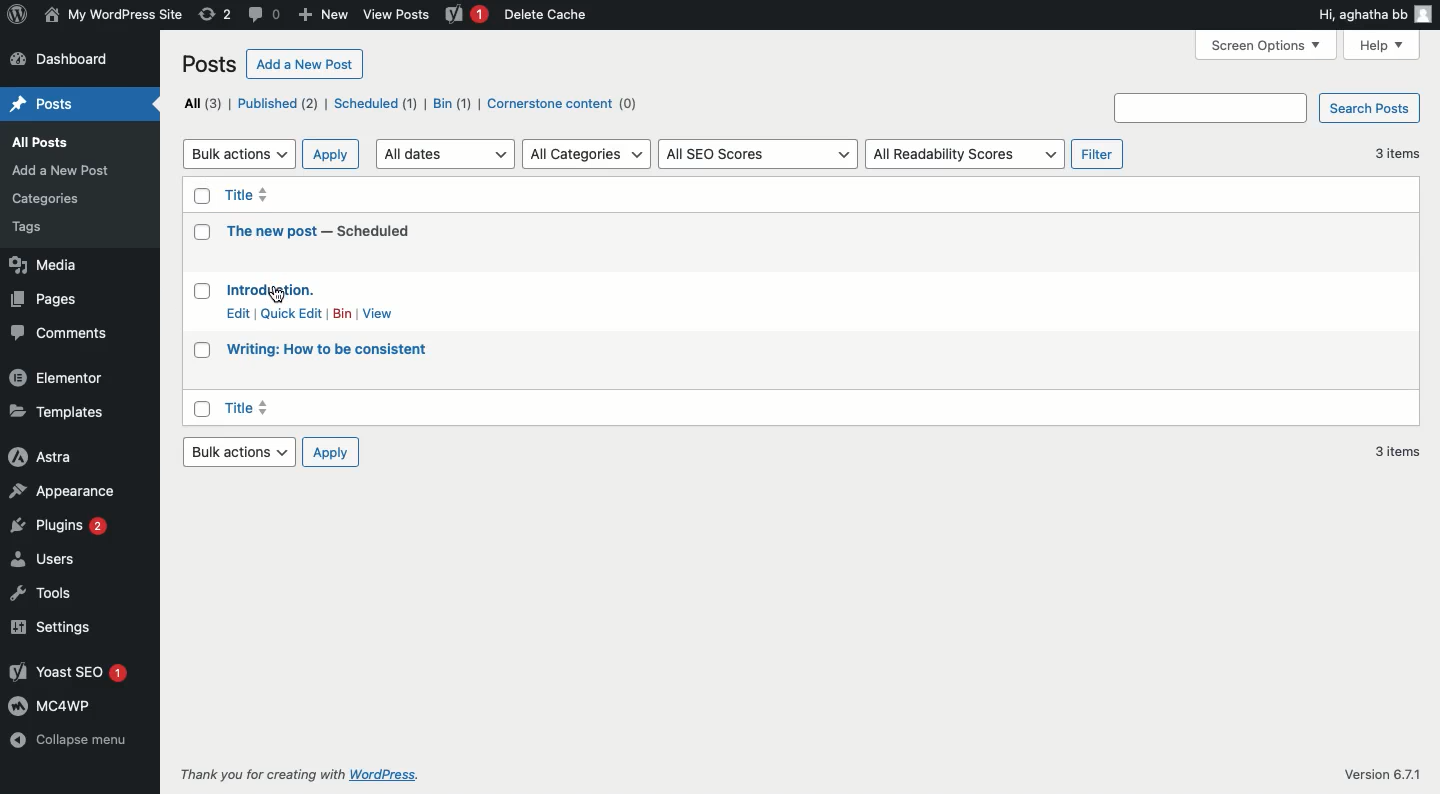 The width and height of the screenshot is (1440, 794). Describe the element at coordinates (263, 13) in the screenshot. I see `Comment` at that location.